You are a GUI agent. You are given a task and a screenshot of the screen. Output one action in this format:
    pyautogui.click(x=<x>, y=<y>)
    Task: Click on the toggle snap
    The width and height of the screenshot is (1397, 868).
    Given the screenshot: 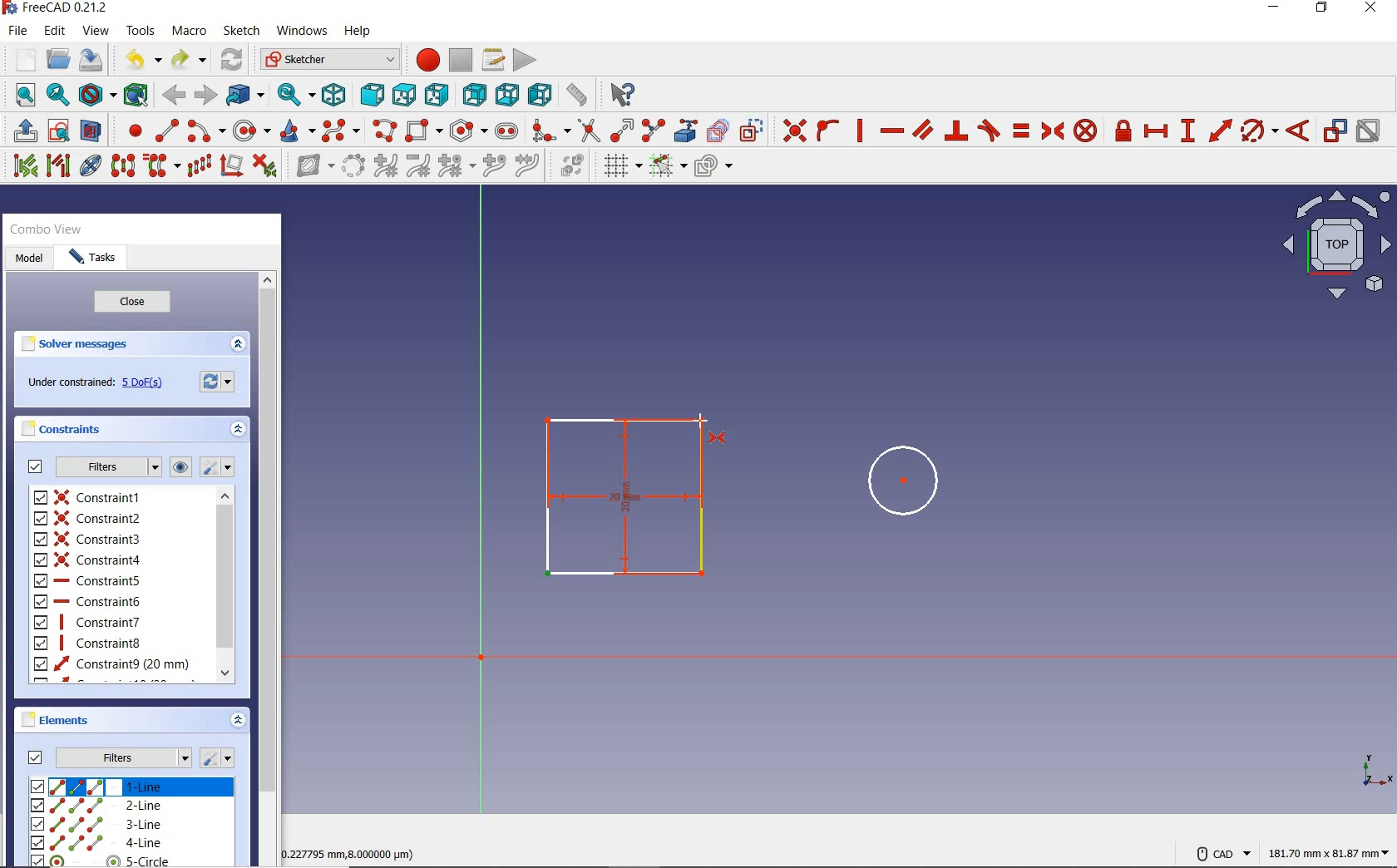 What is the action you would take?
    pyautogui.click(x=669, y=165)
    